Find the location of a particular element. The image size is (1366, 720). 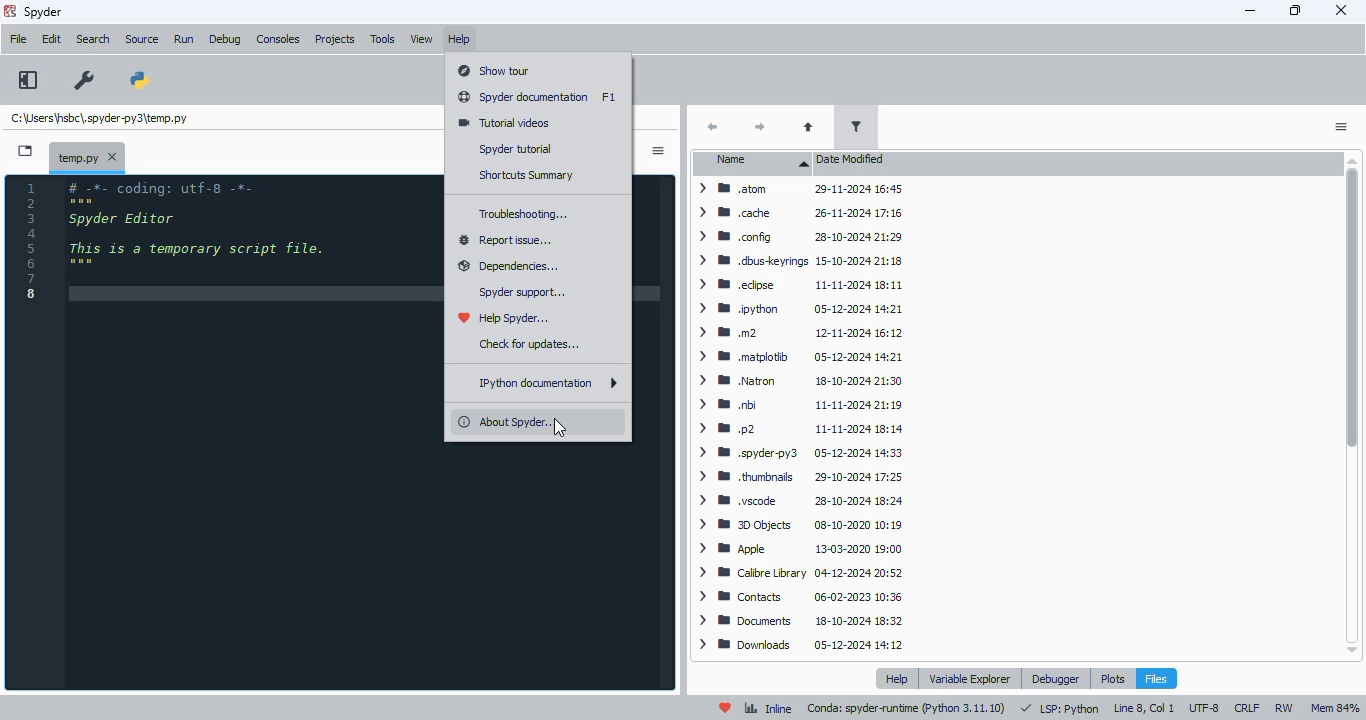

logo is located at coordinates (9, 11).